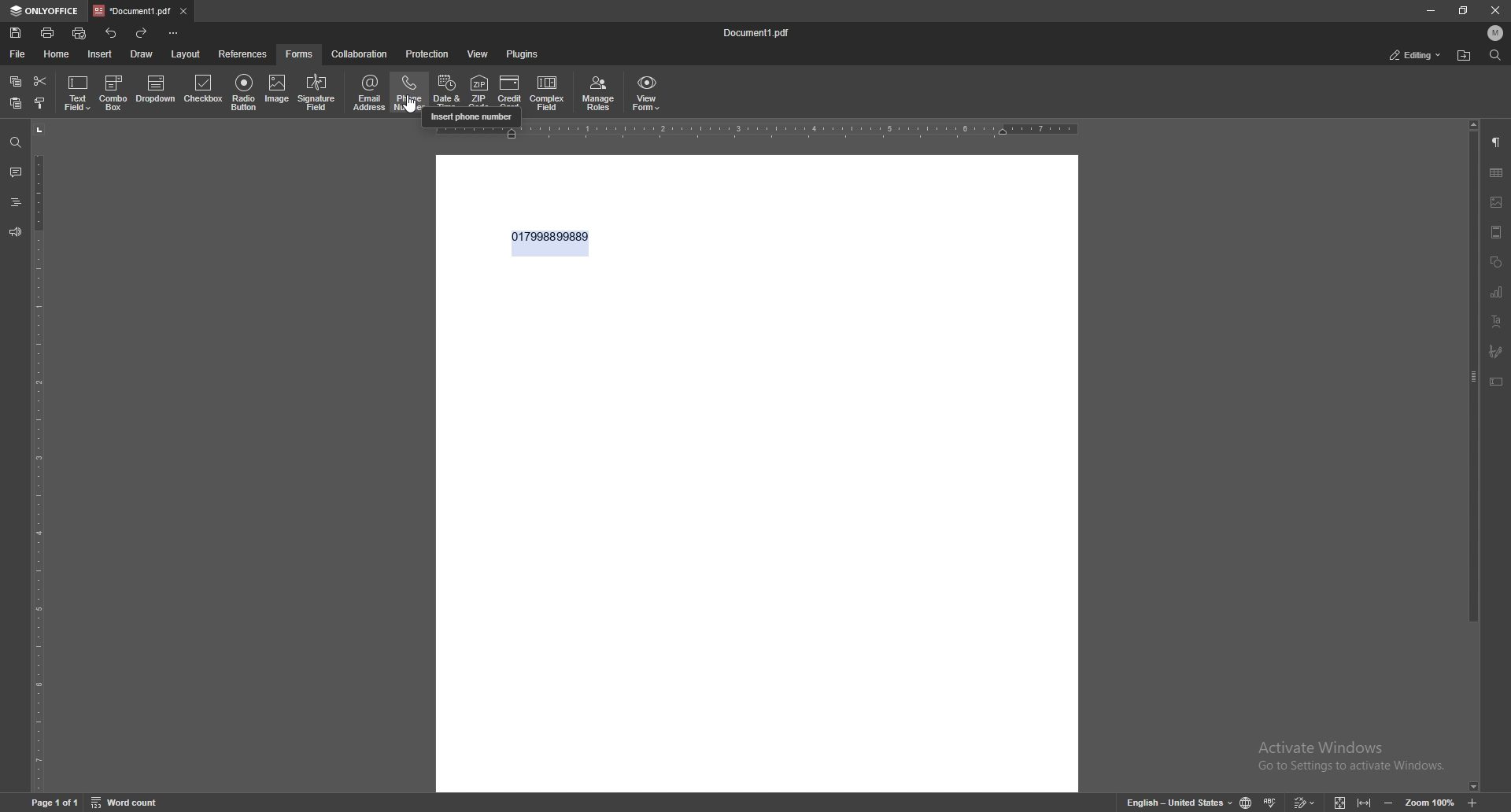  Describe the element at coordinates (1496, 56) in the screenshot. I see `find` at that location.